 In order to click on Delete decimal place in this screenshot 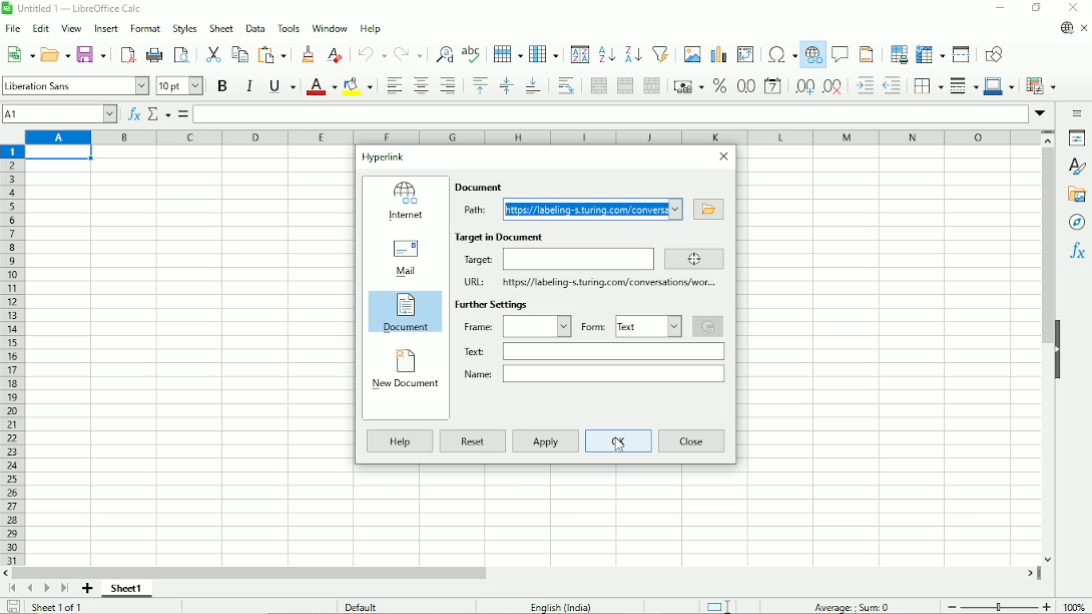, I will do `click(833, 88)`.